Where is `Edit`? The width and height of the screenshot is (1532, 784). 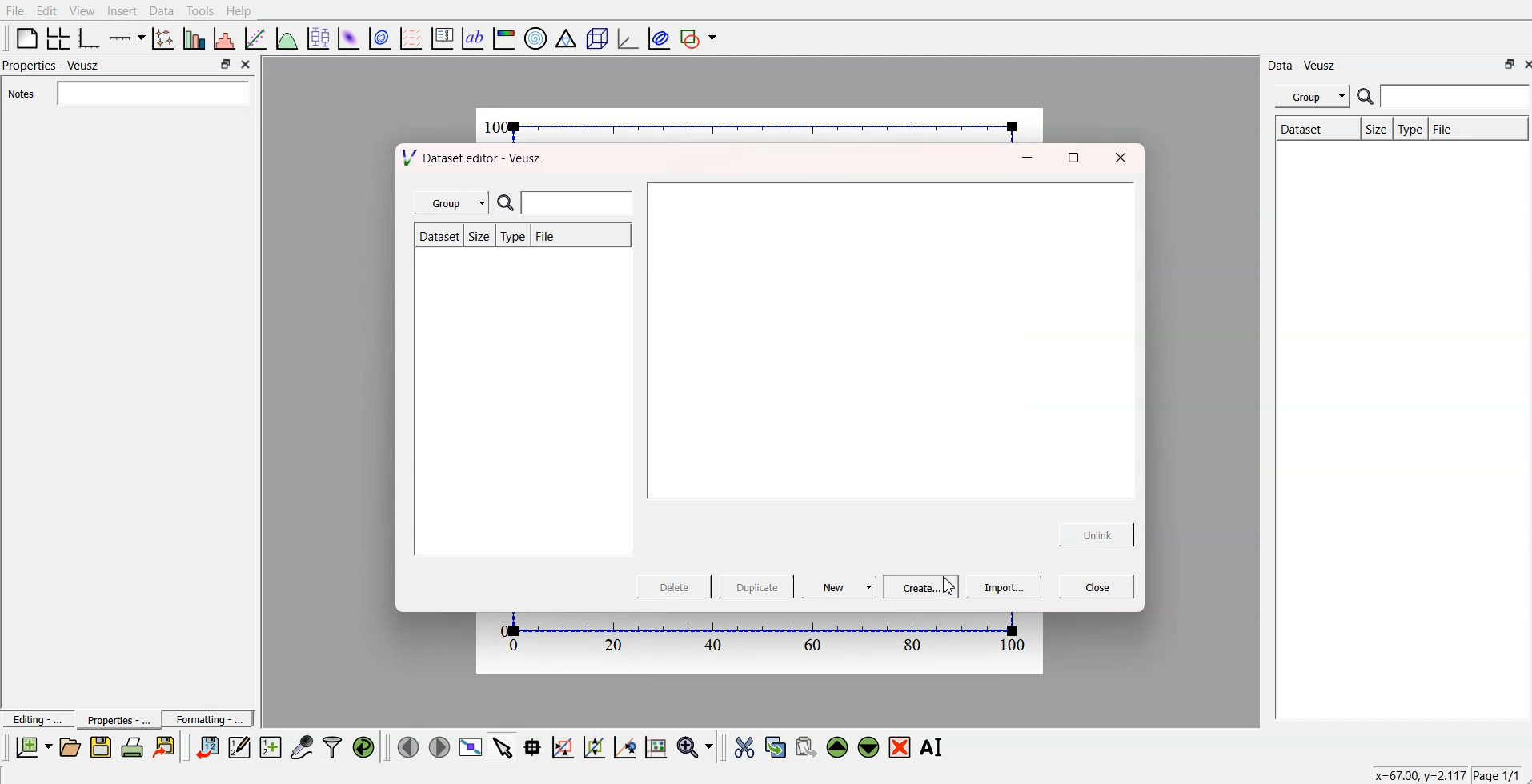 Edit is located at coordinates (47, 10).